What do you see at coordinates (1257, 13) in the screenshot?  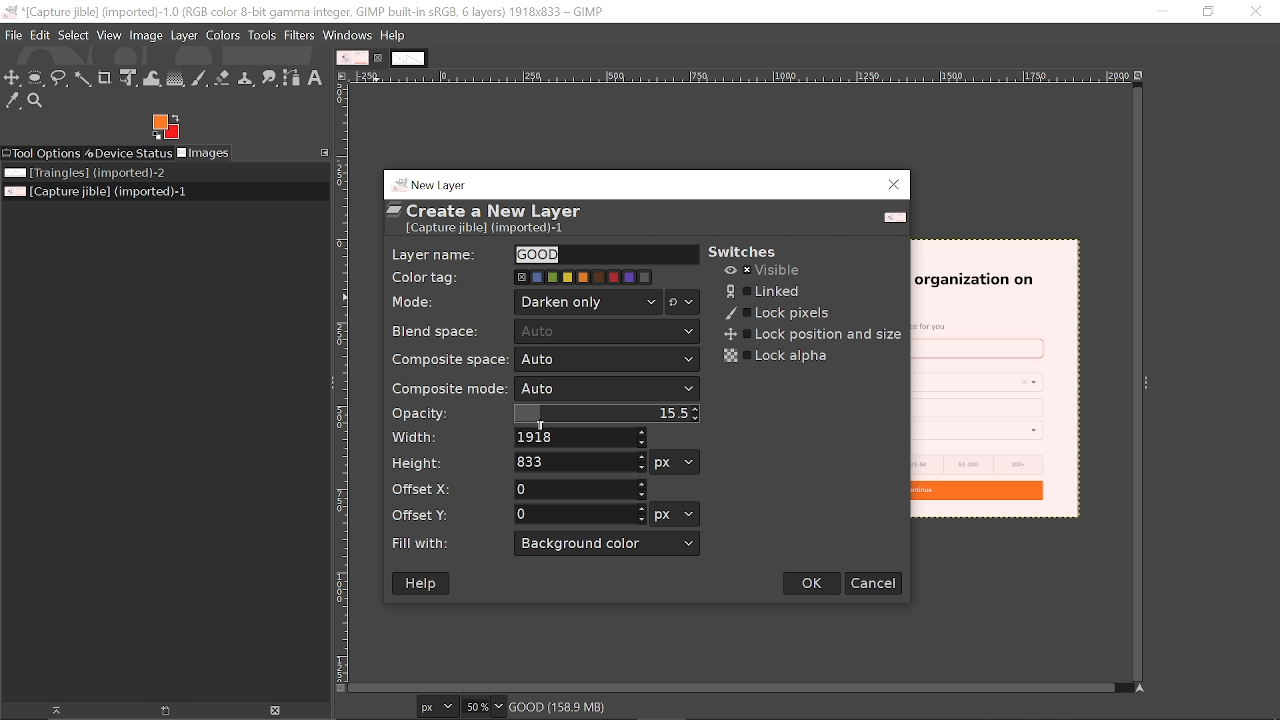 I see `Close` at bounding box center [1257, 13].